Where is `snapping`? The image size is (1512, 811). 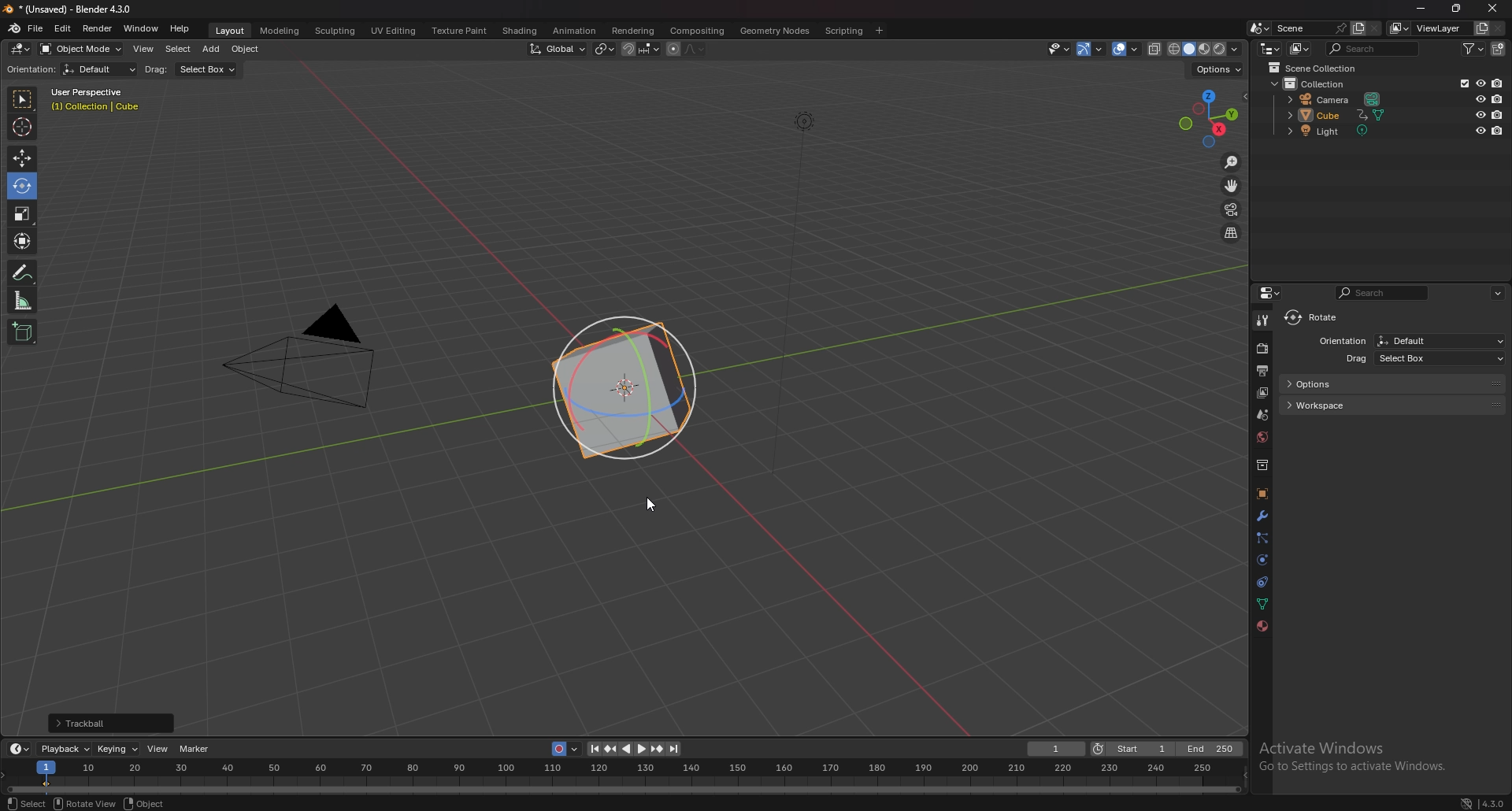 snapping is located at coordinates (641, 49).